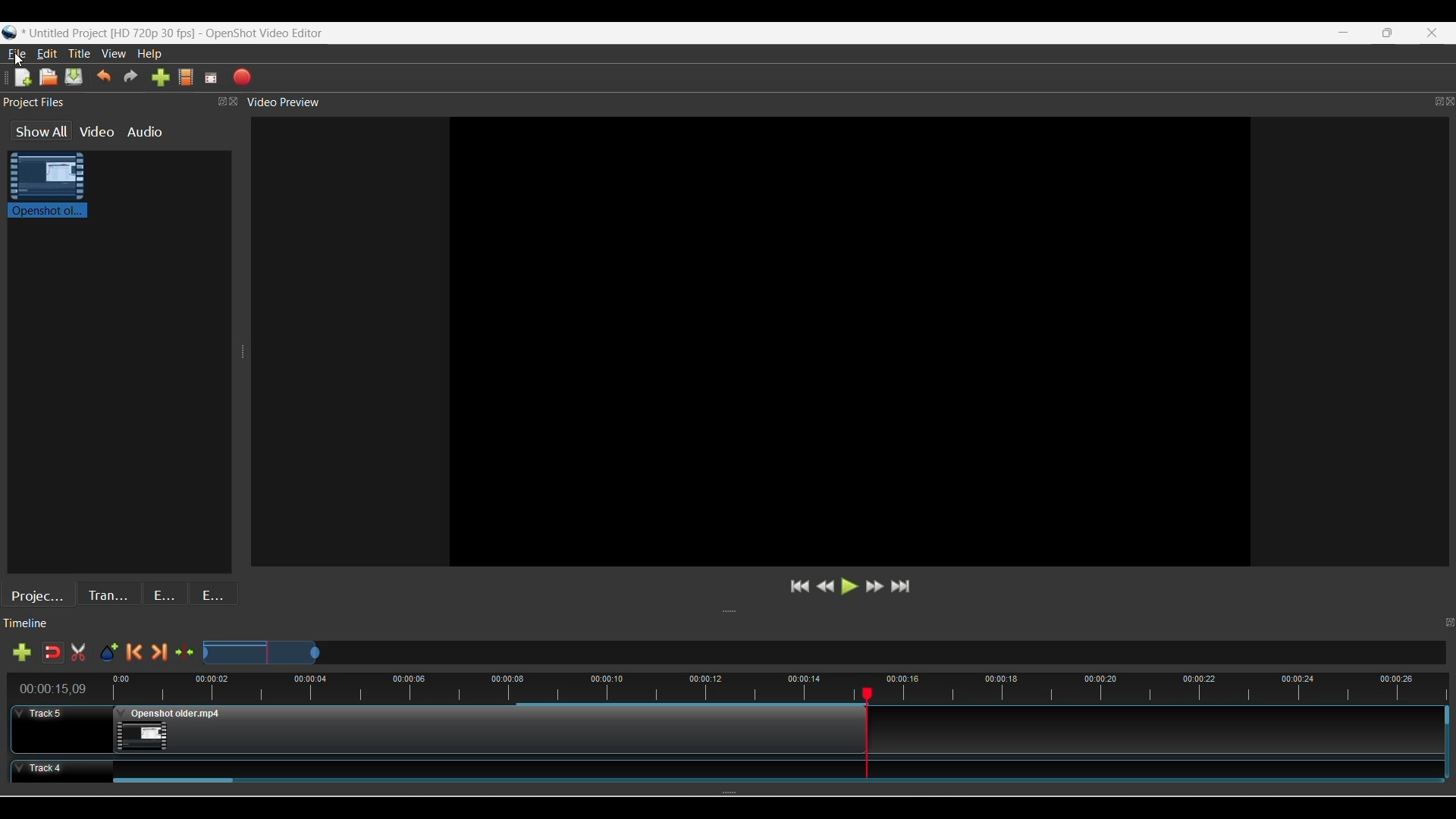 The image size is (1456, 819). I want to click on Export video, so click(242, 77).